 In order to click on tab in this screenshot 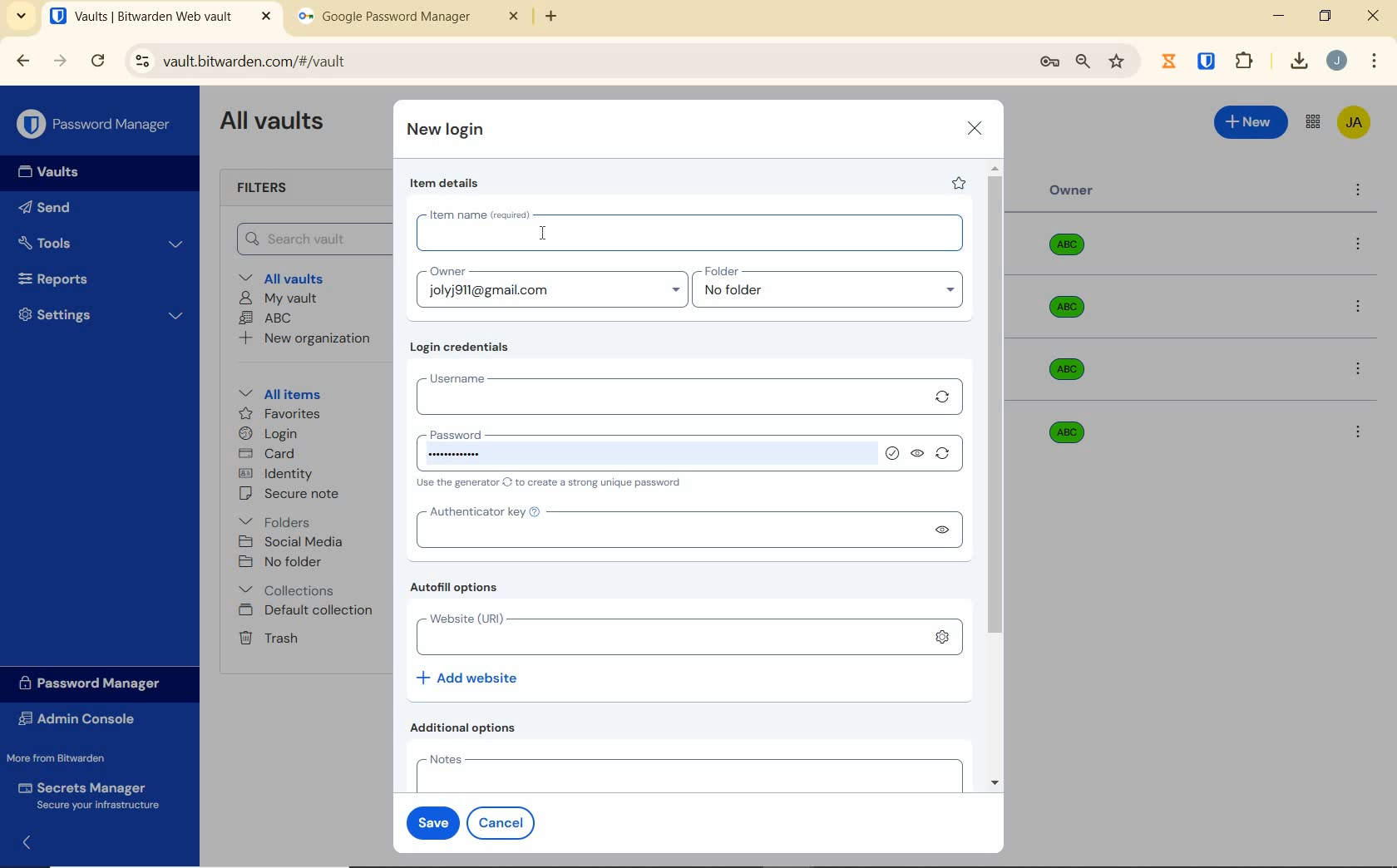, I will do `click(408, 20)`.